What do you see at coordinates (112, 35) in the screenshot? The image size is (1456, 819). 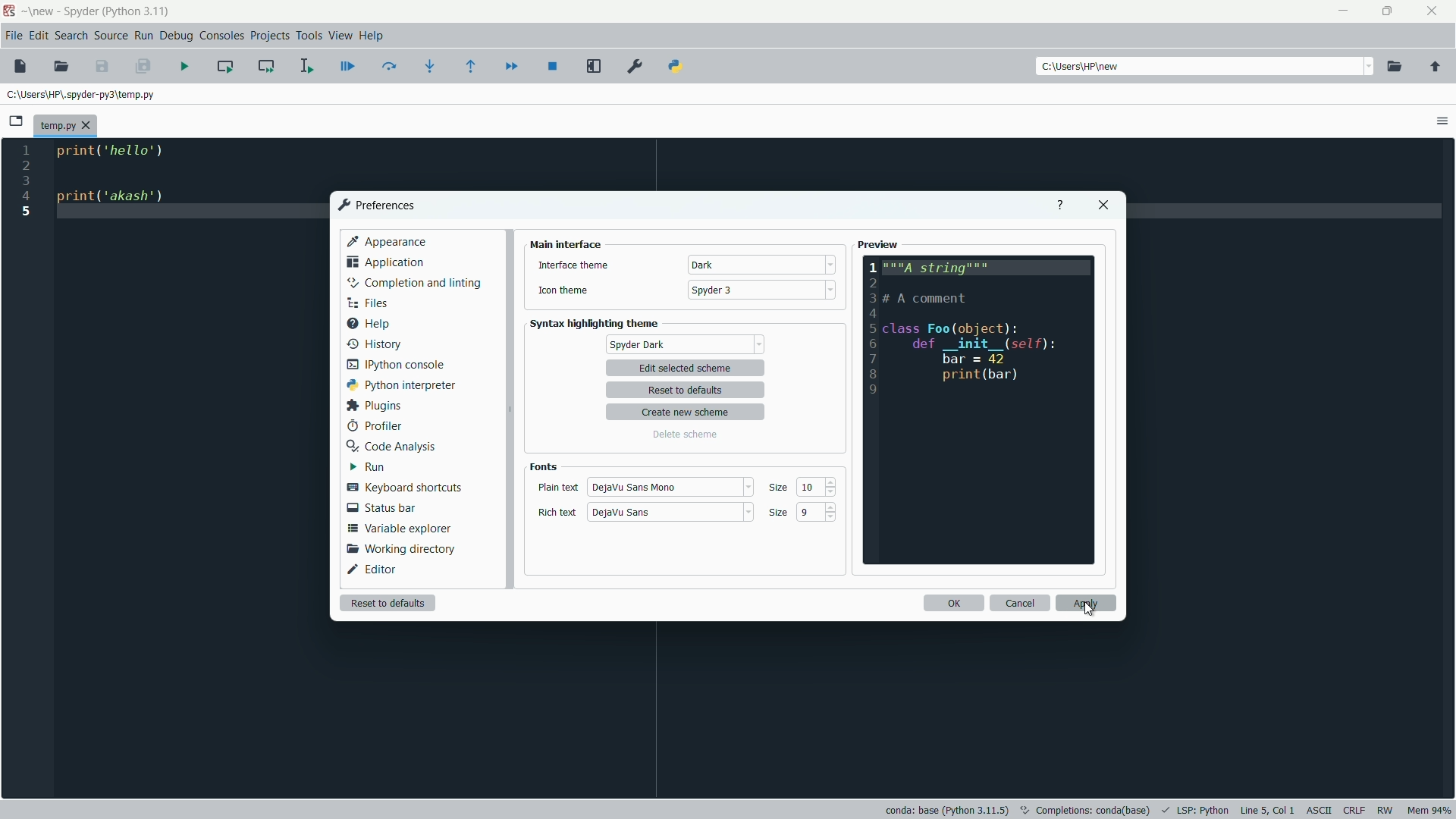 I see `source menu` at bounding box center [112, 35].